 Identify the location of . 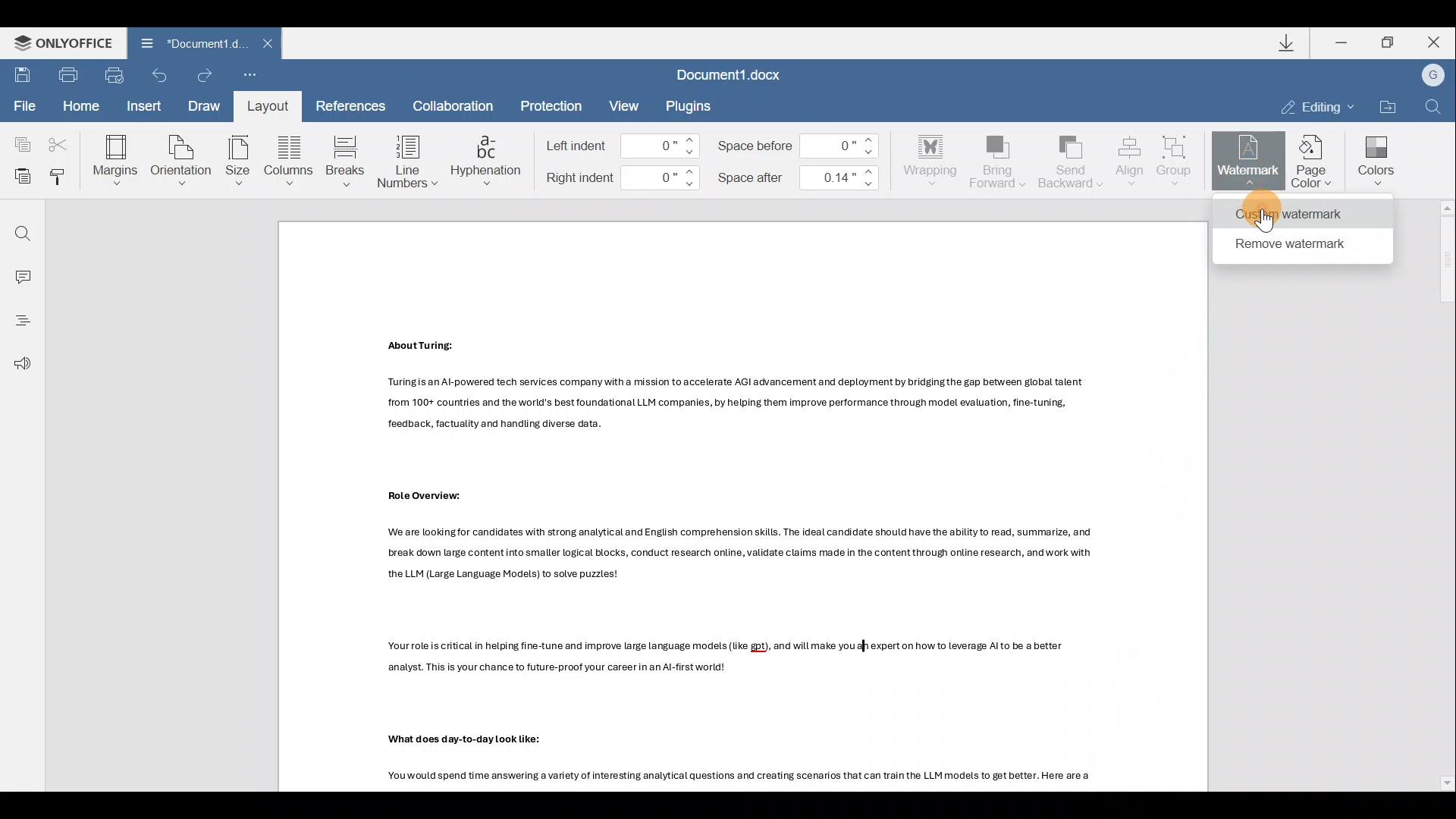
(473, 739).